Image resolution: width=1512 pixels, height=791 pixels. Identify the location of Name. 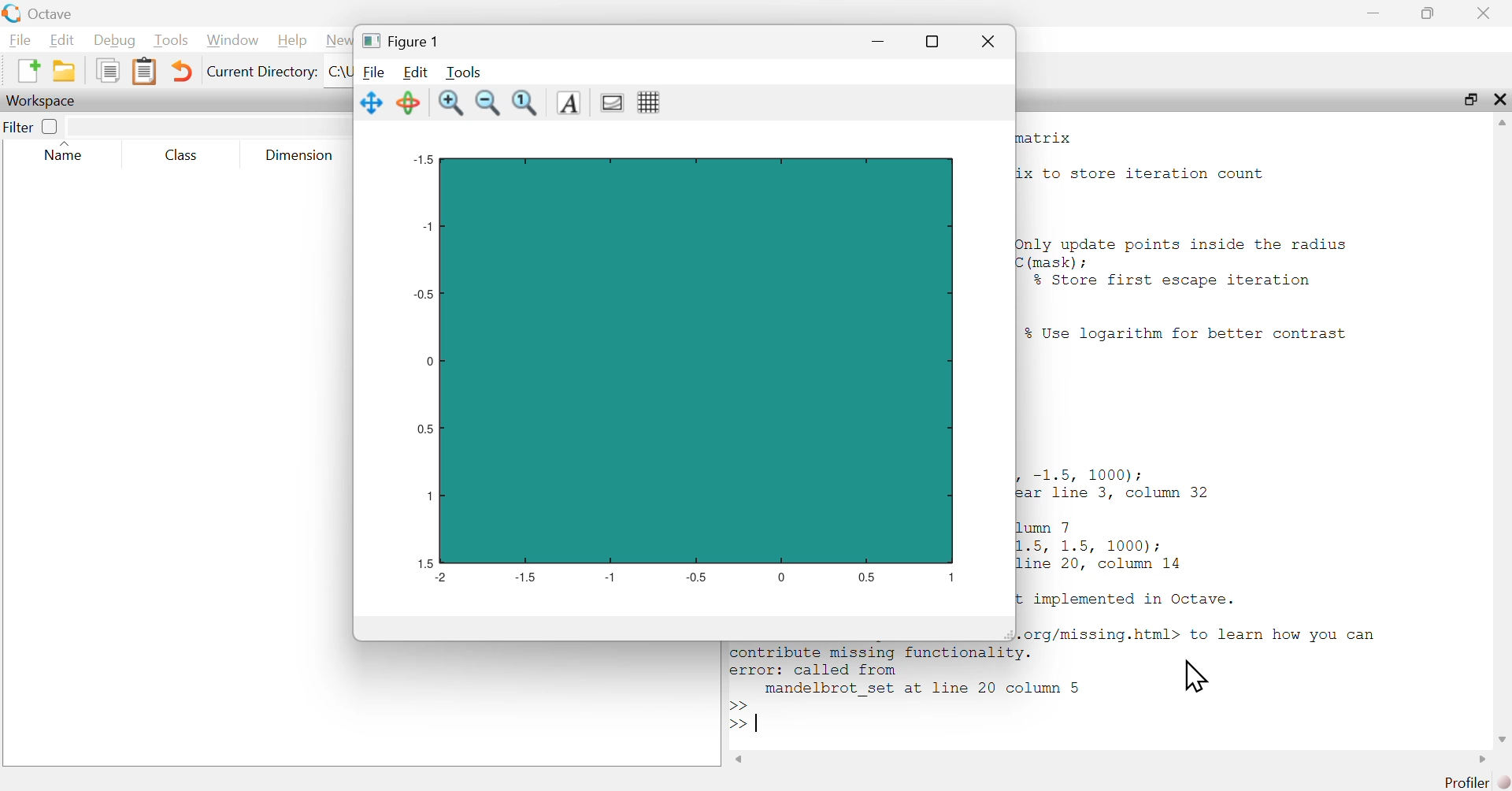
(71, 153).